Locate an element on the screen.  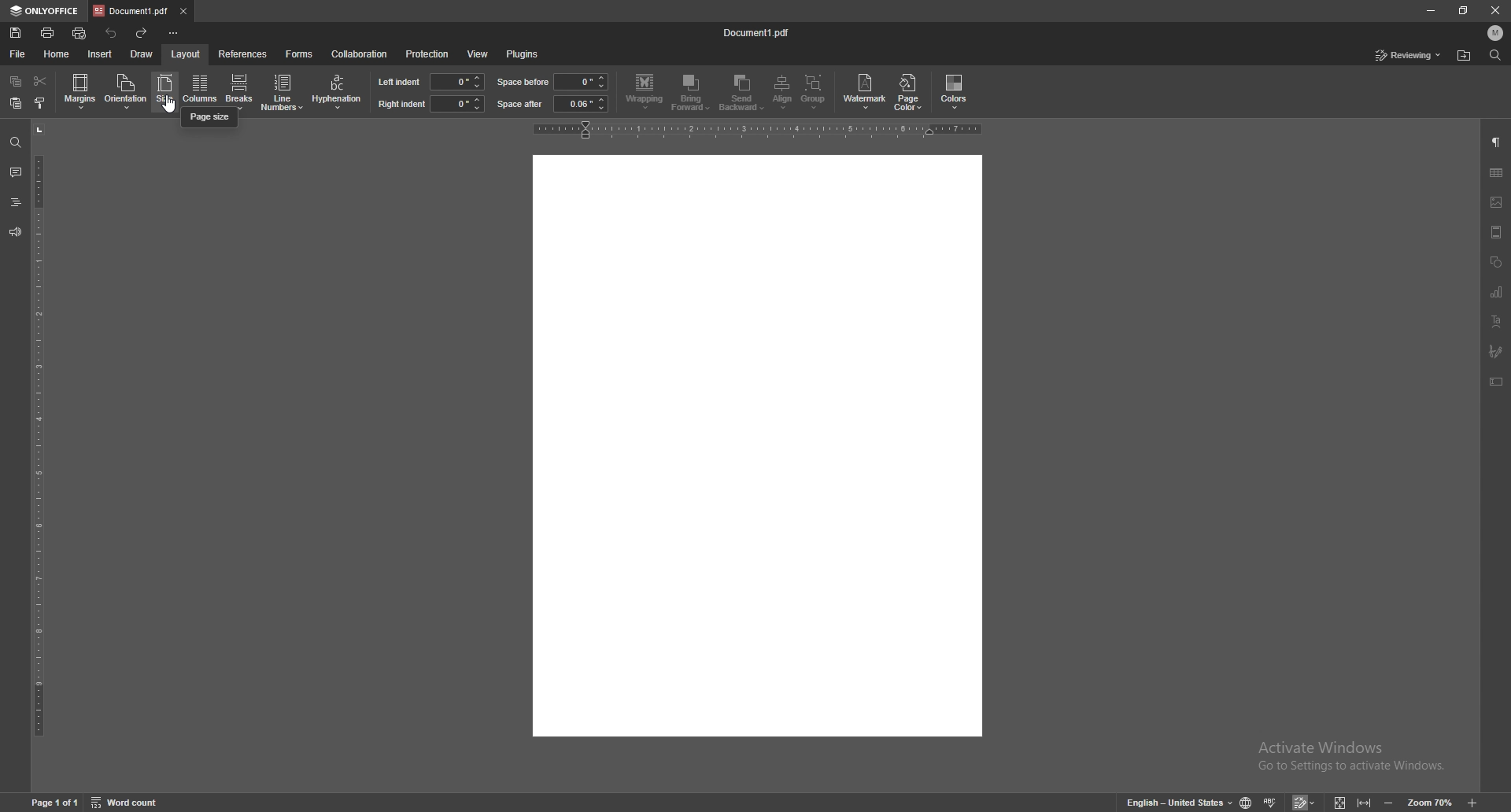
fit to screen is located at coordinates (1340, 802).